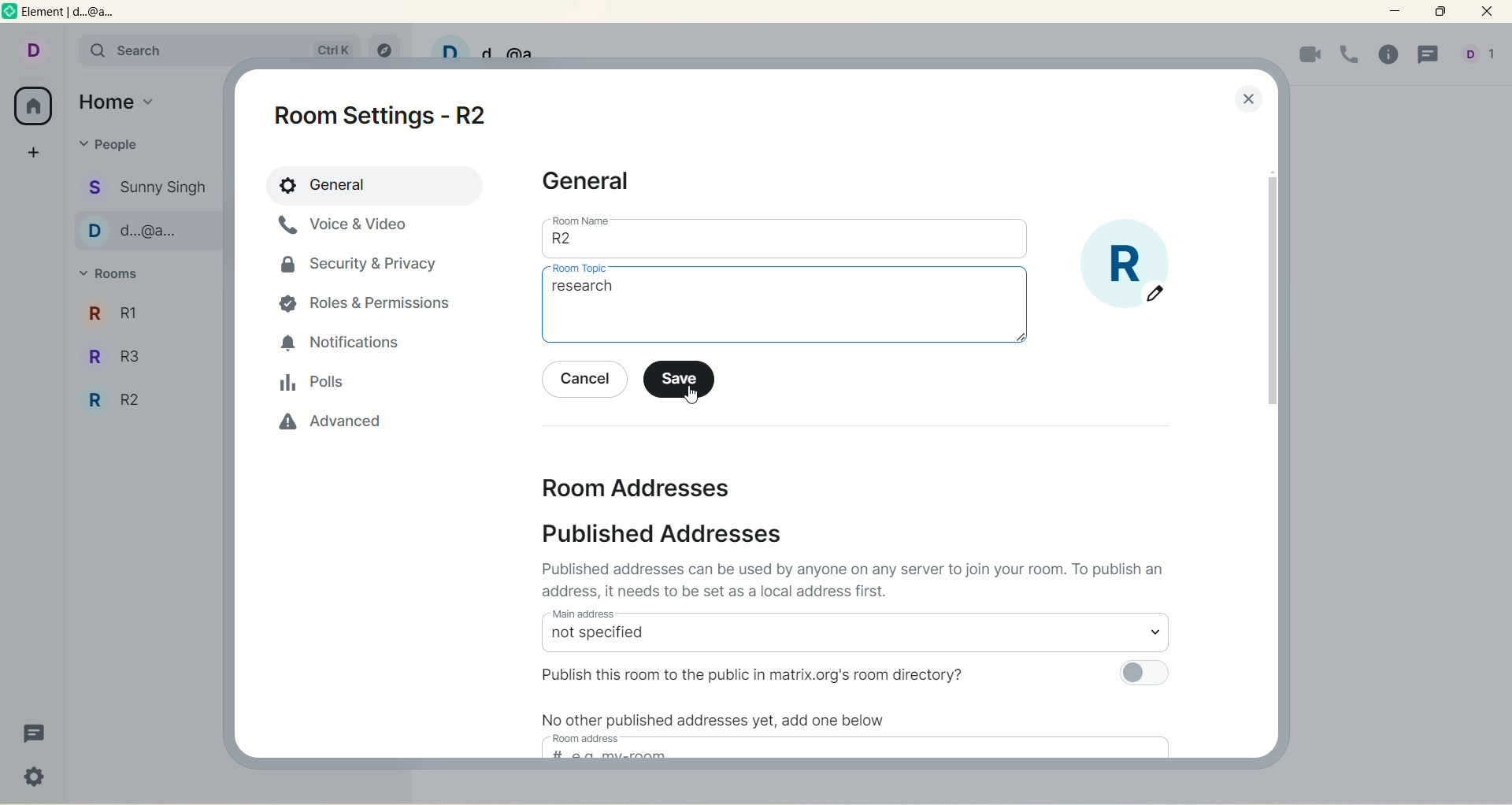  Describe the element at coordinates (115, 275) in the screenshot. I see `rooms` at that location.